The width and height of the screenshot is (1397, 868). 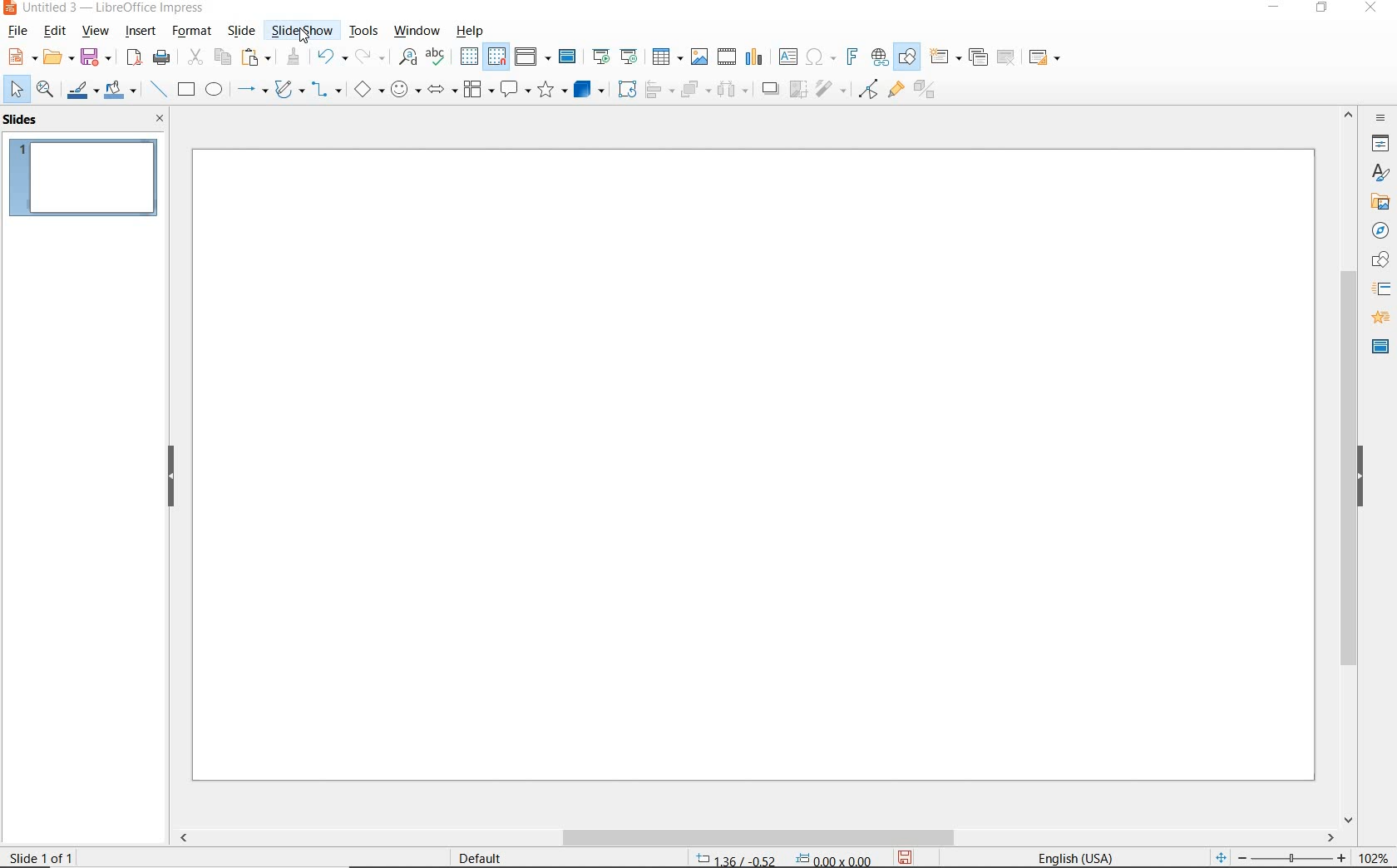 I want to click on DUPLICATE SLIDE, so click(x=976, y=56).